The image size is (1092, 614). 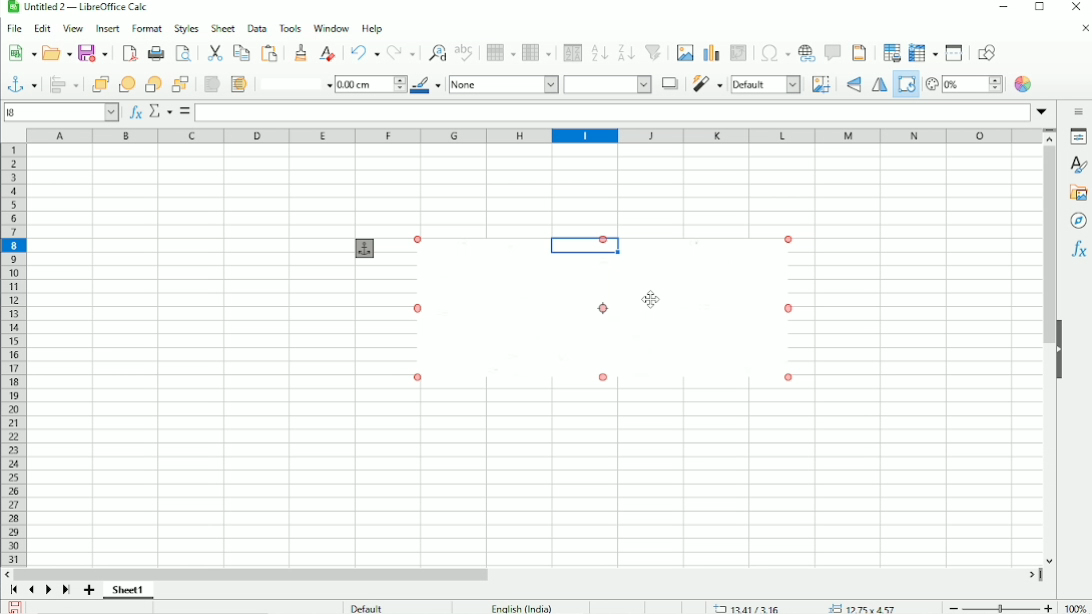 What do you see at coordinates (499, 53) in the screenshot?
I see `Row` at bounding box center [499, 53].